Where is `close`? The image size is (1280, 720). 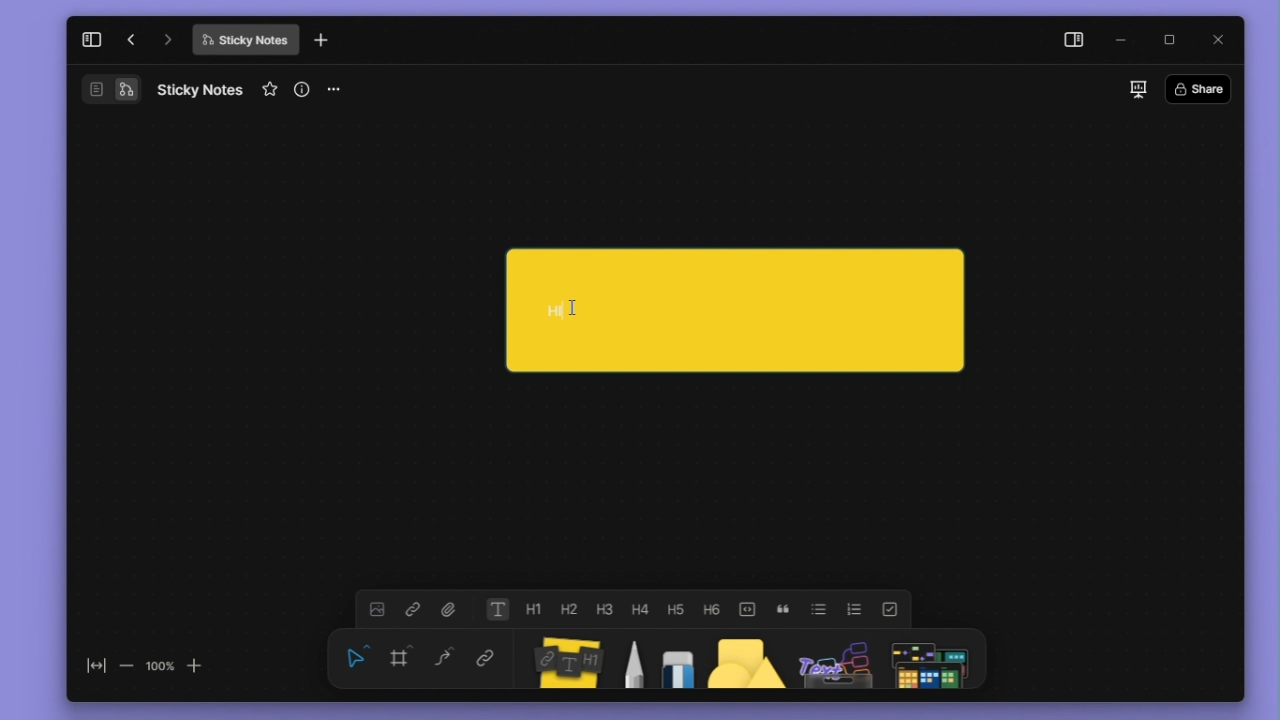 close is located at coordinates (1219, 37).